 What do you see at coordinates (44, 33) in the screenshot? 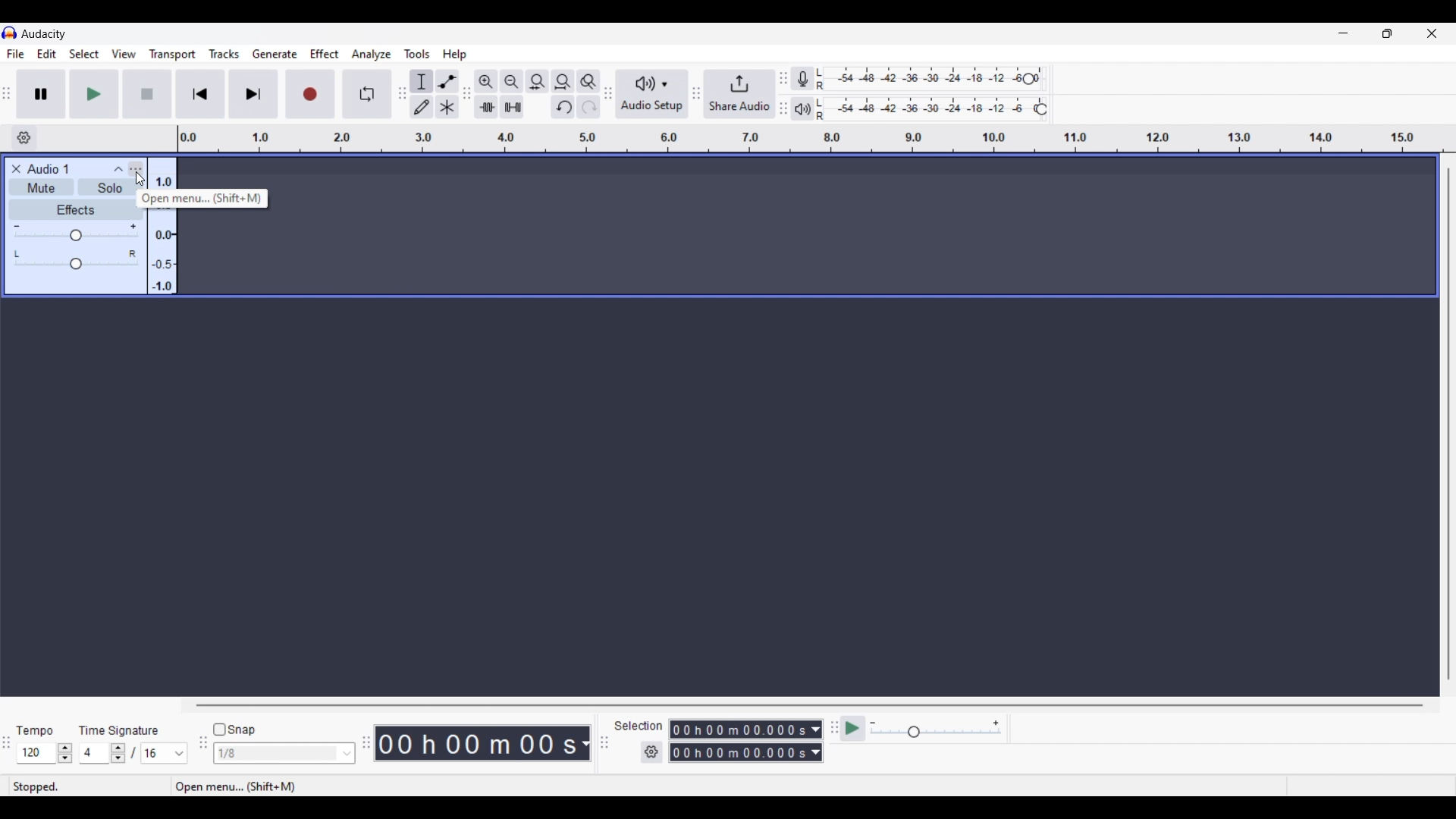
I see `Software name` at bounding box center [44, 33].